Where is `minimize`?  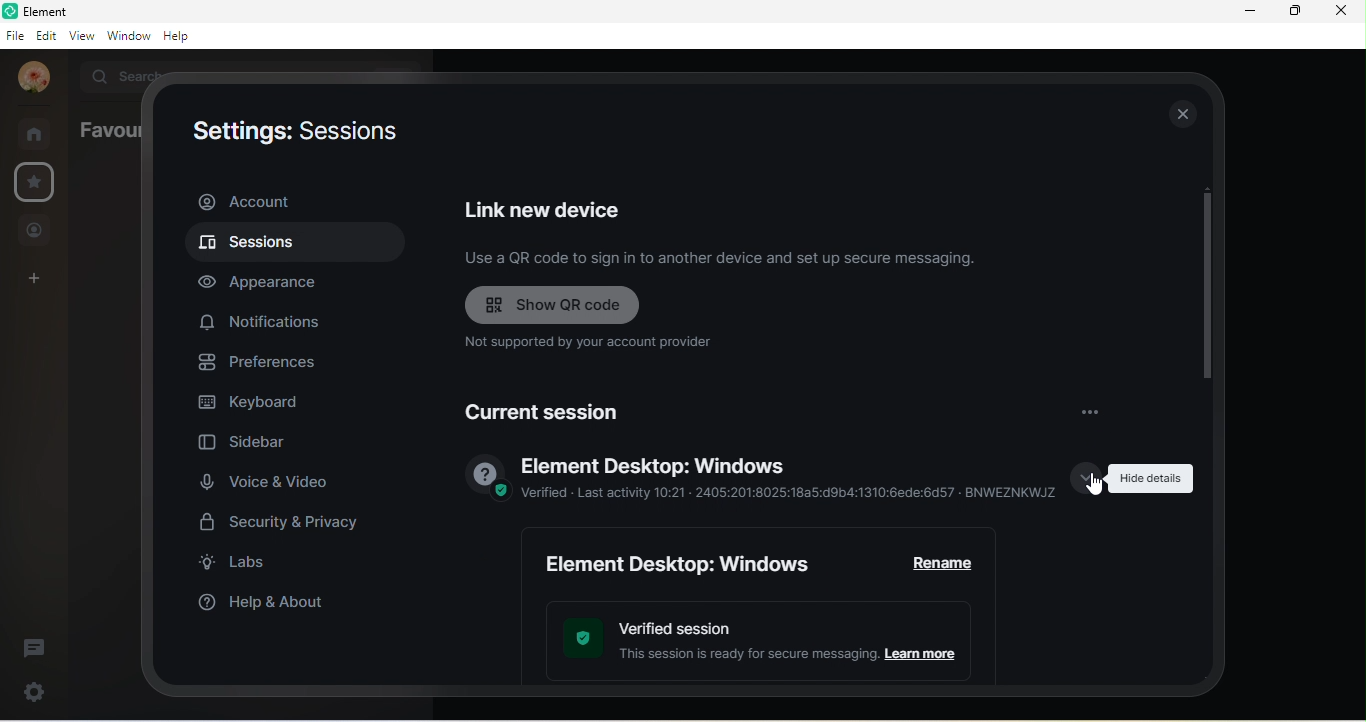
minimize is located at coordinates (1250, 11).